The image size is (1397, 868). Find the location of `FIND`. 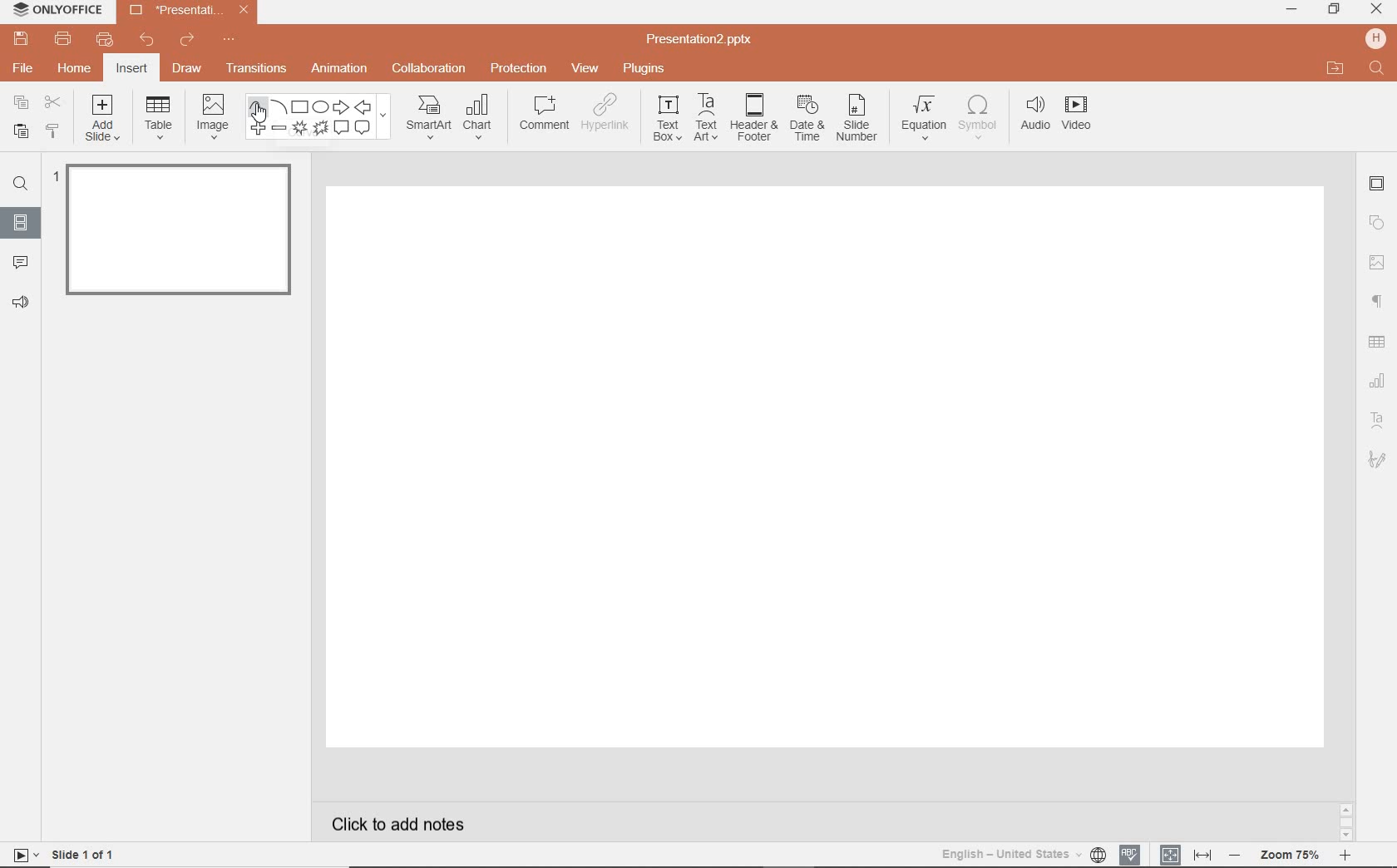

FIND is located at coordinates (23, 184).